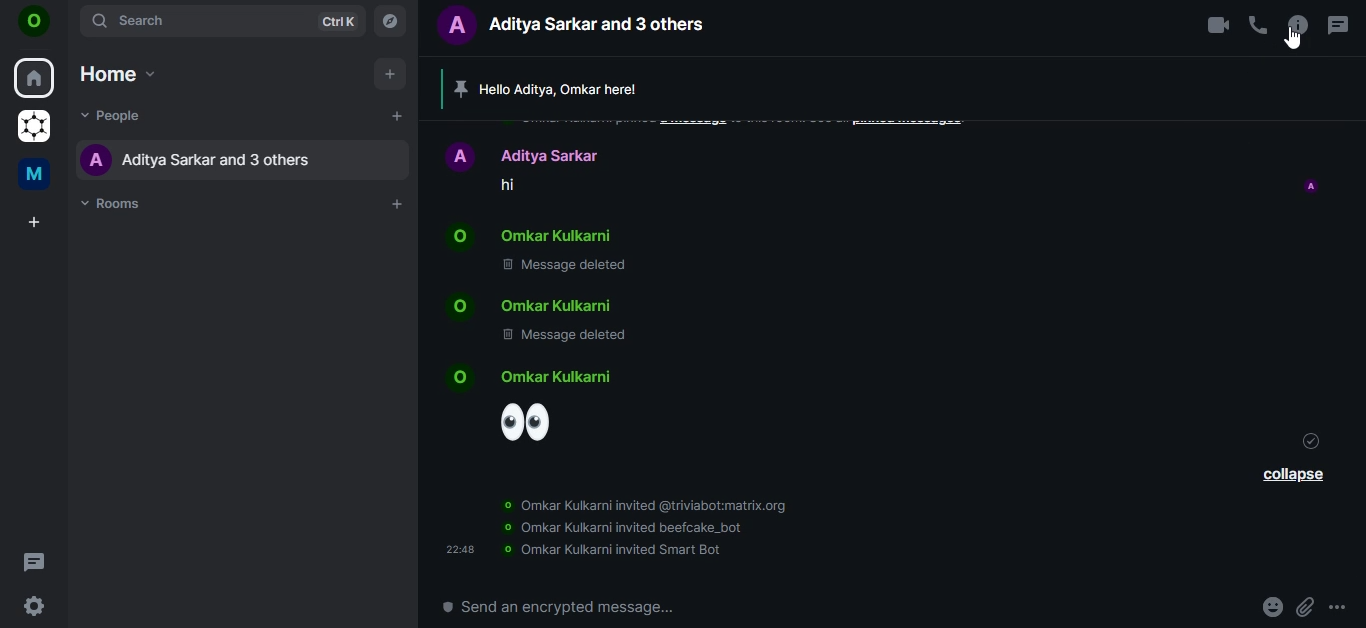 The width and height of the screenshot is (1366, 628). Describe the element at coordinates (117, 70) in the screenshot. I see `home` at that location.